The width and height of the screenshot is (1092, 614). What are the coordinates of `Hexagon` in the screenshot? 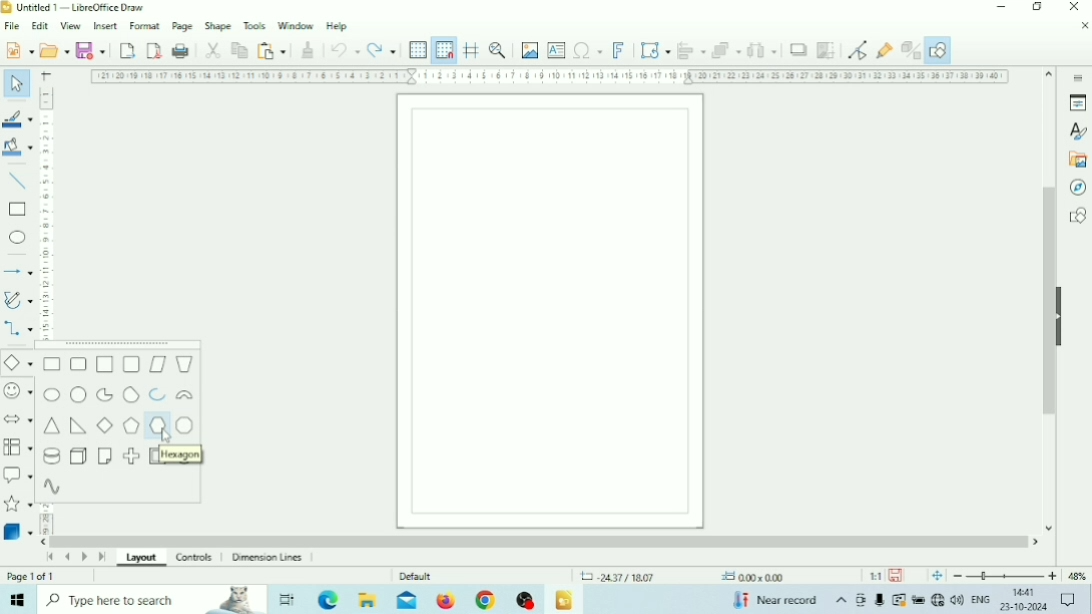 It's located at (158, 427).